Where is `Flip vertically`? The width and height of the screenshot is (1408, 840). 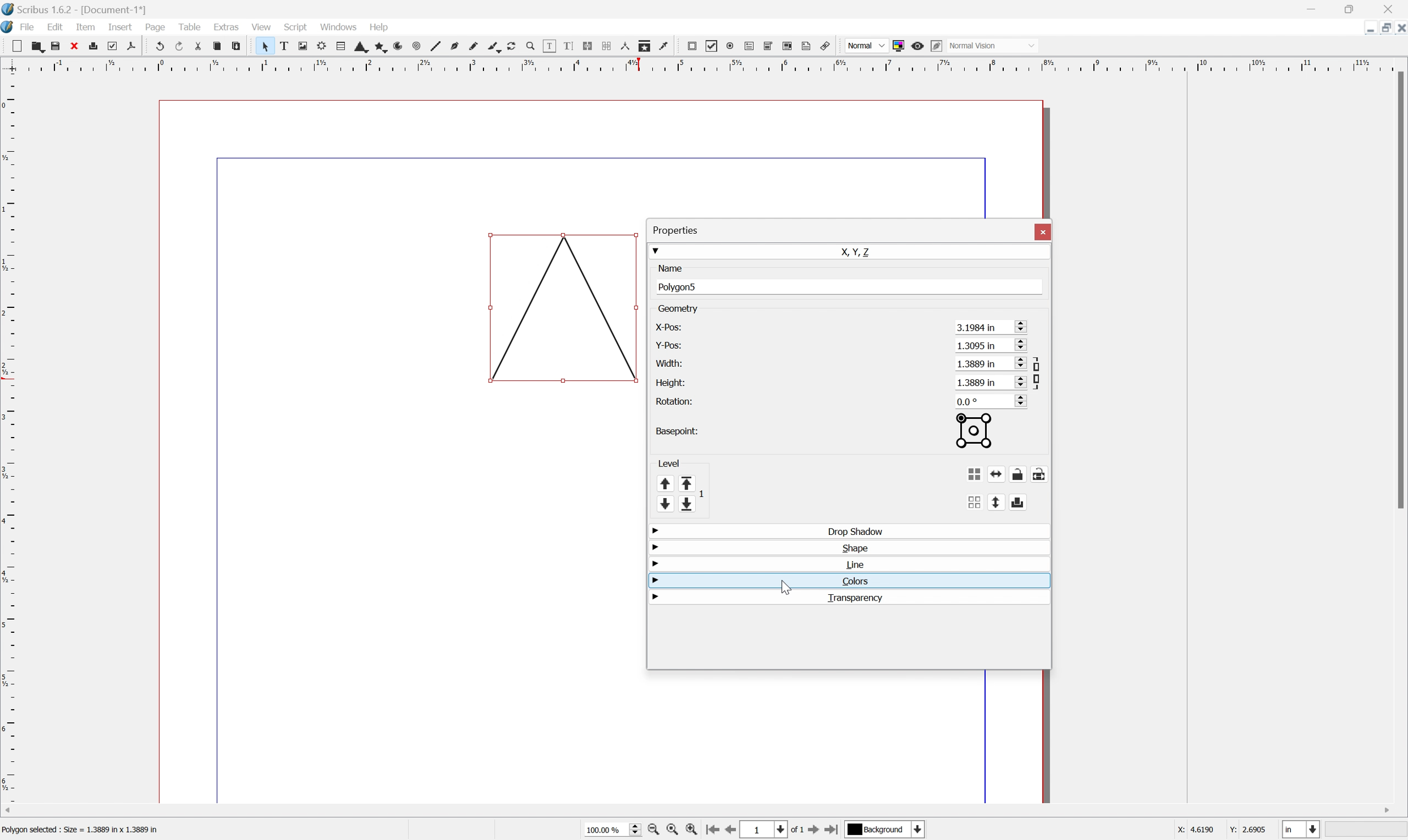
Flip vertically is located at coordinates (995, 503).